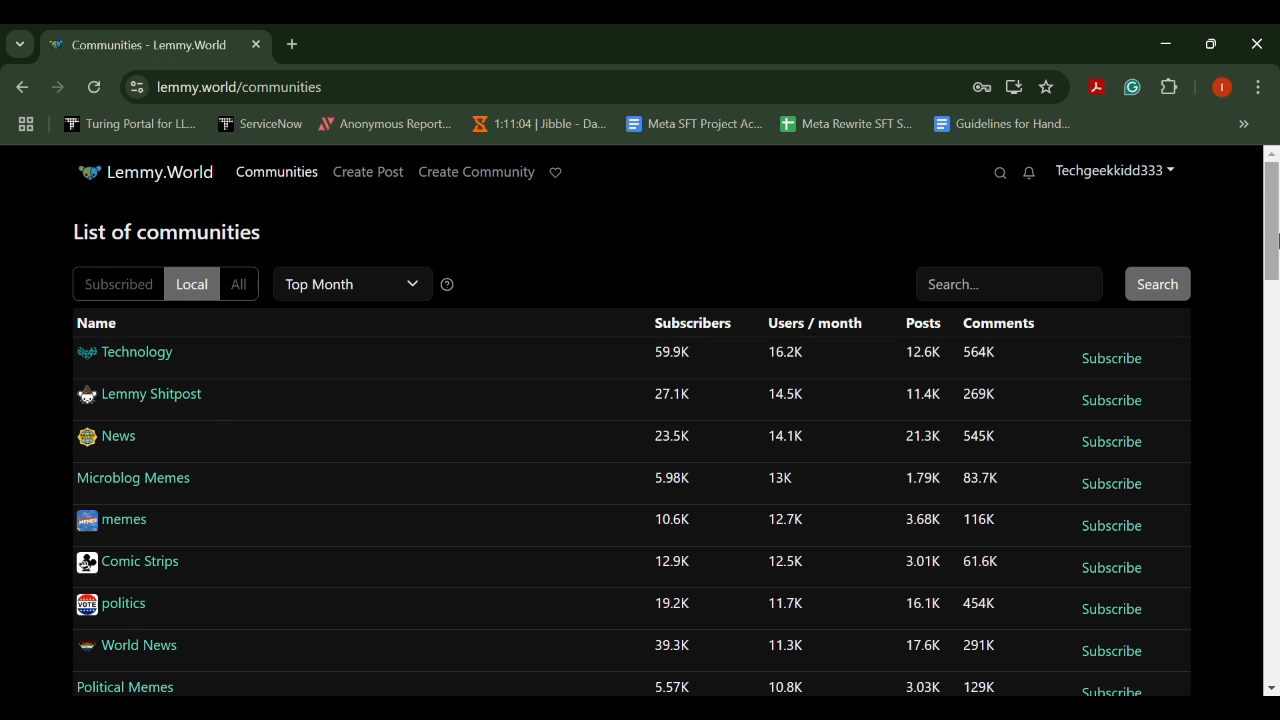 This screenshot has height=720, width=1280. Describe the element at coordinates (1110, 652) in the screenshot. I see `Subscribe` at that location.